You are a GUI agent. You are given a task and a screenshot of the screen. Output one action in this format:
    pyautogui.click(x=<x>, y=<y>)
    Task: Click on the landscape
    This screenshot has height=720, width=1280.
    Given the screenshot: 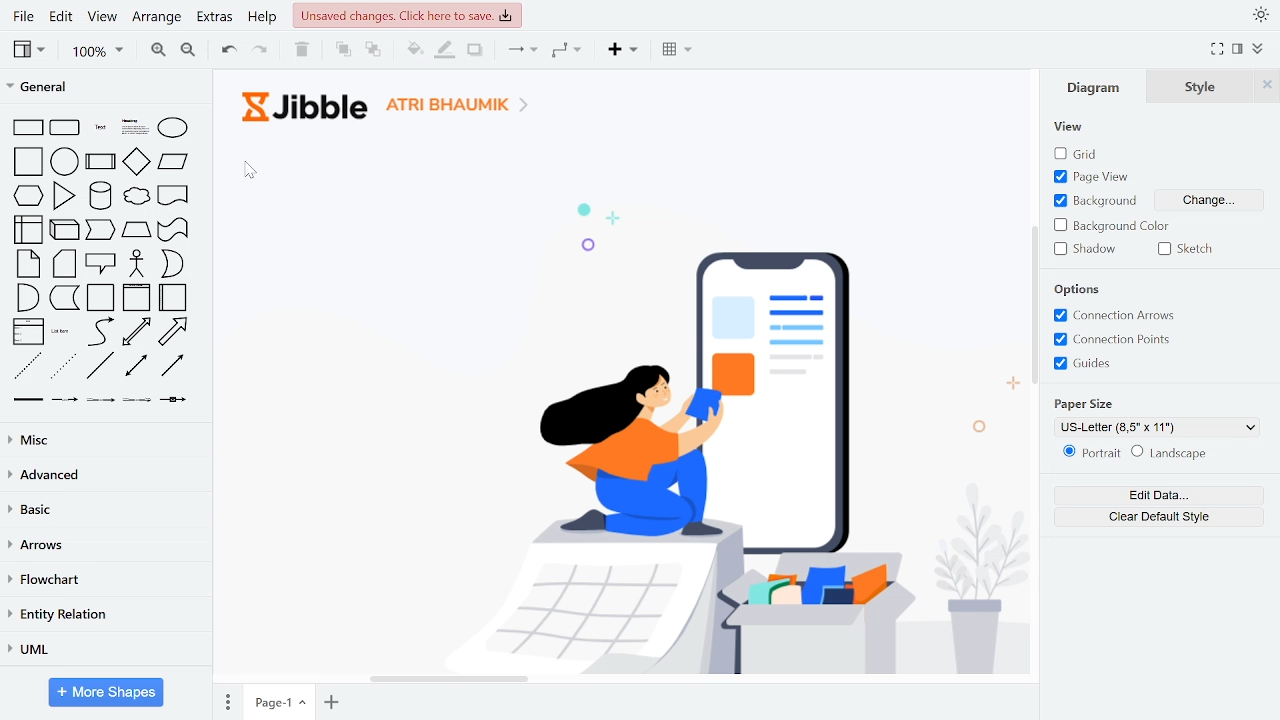 What is the action you would take?
    pyautogui.click(x=1171, y=453)
    